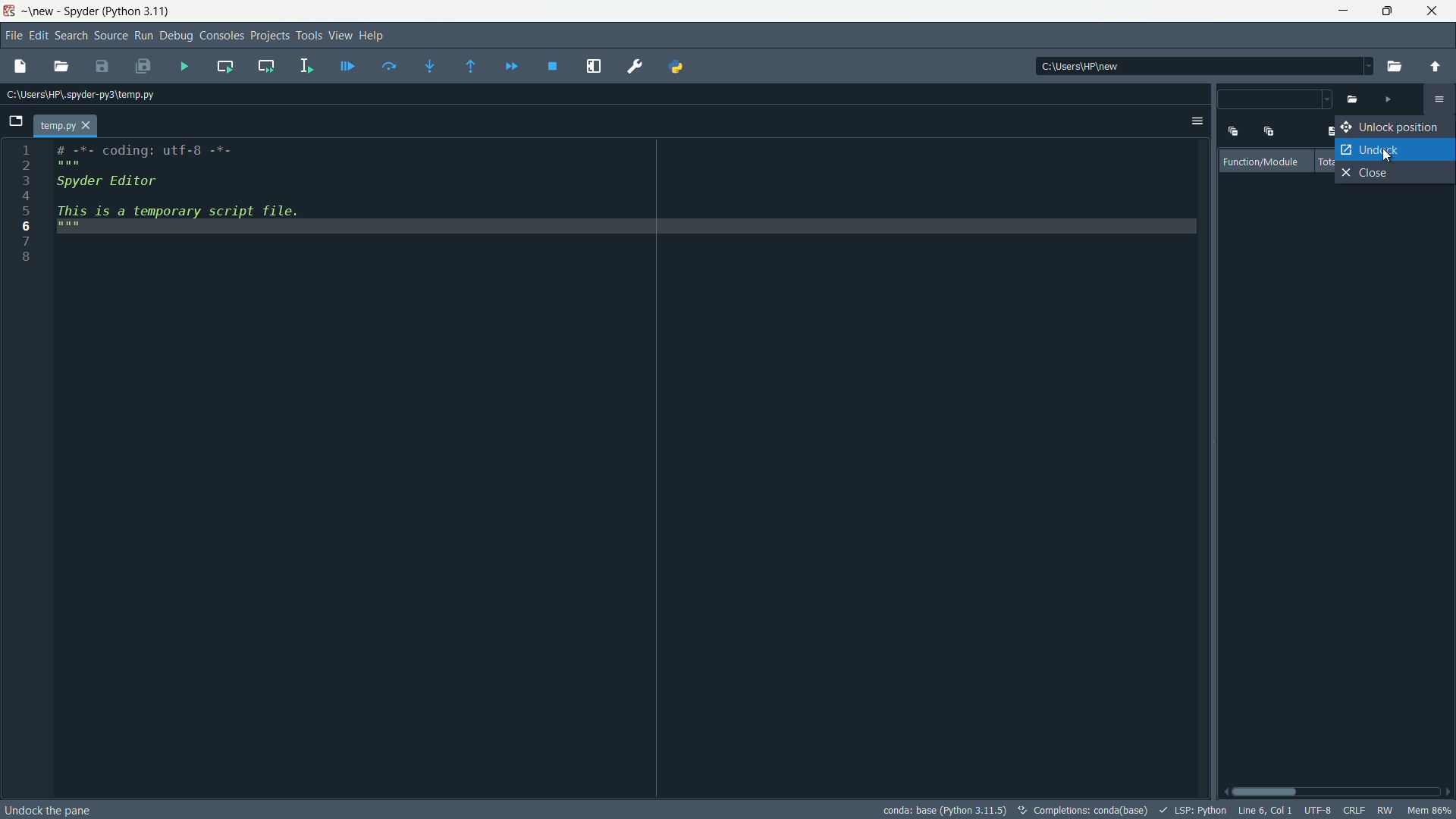  I want to click on LSP:Python, so click(1190, 808).